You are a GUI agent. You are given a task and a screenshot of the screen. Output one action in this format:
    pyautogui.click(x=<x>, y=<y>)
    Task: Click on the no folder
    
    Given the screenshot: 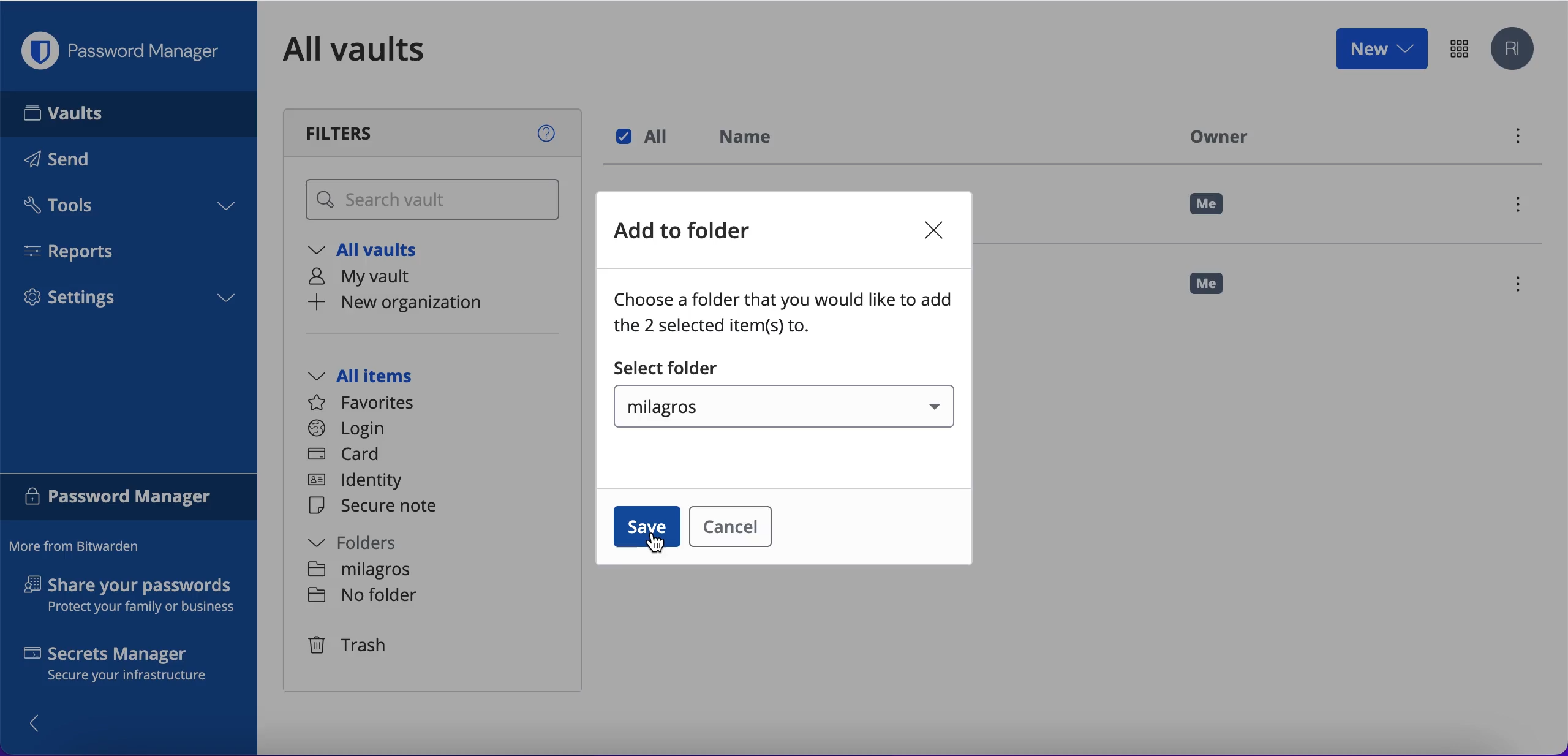 What is the action you would take?
    pyautogui.click(x=362, y=597)
    